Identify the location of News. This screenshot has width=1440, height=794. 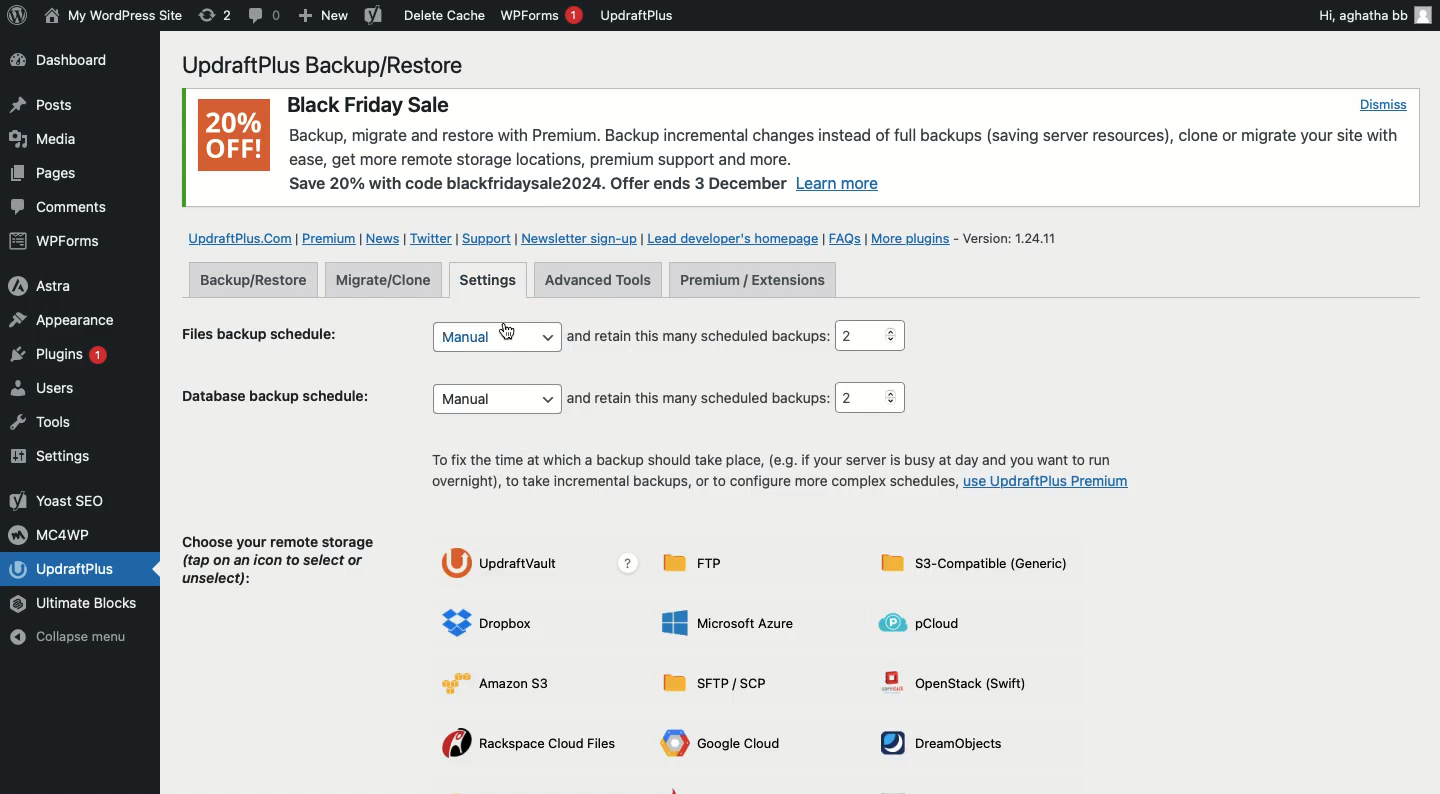
(385, 239).